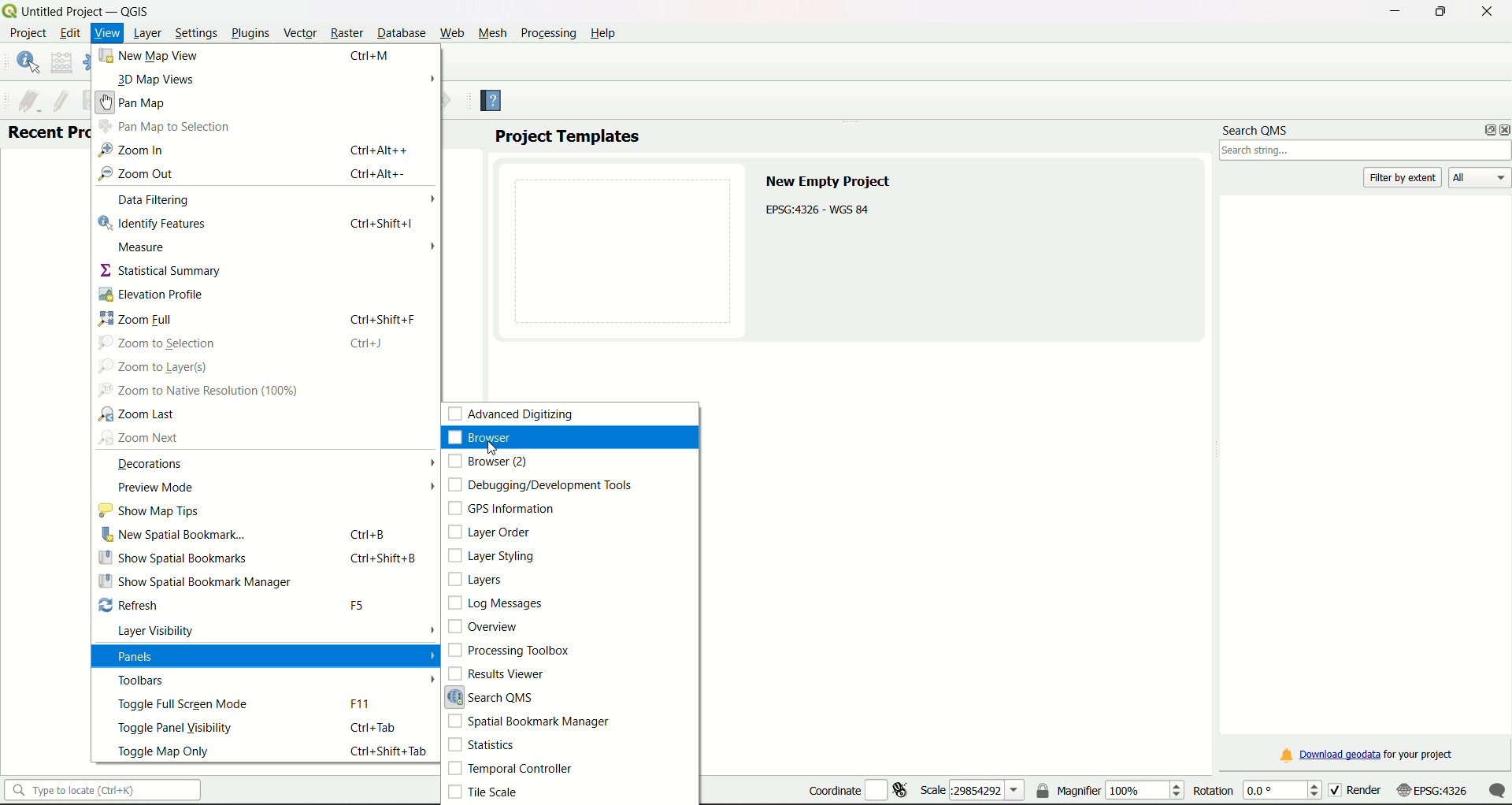 The image size is (1512, 805). I want to click on download link, so click(1366, 755).